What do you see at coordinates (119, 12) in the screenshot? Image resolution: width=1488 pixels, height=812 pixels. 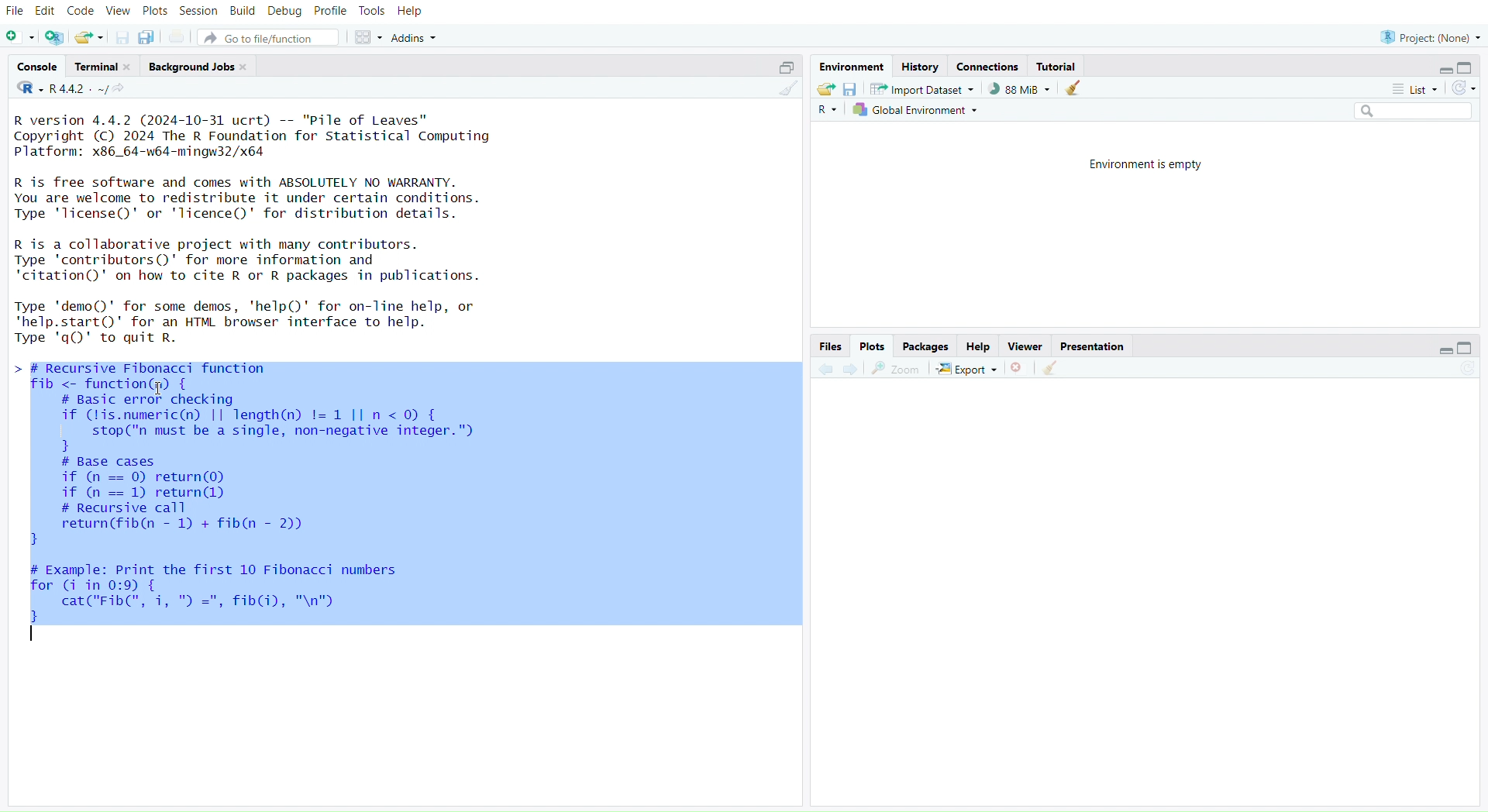 I see `view` at bounding box center [119, 12].